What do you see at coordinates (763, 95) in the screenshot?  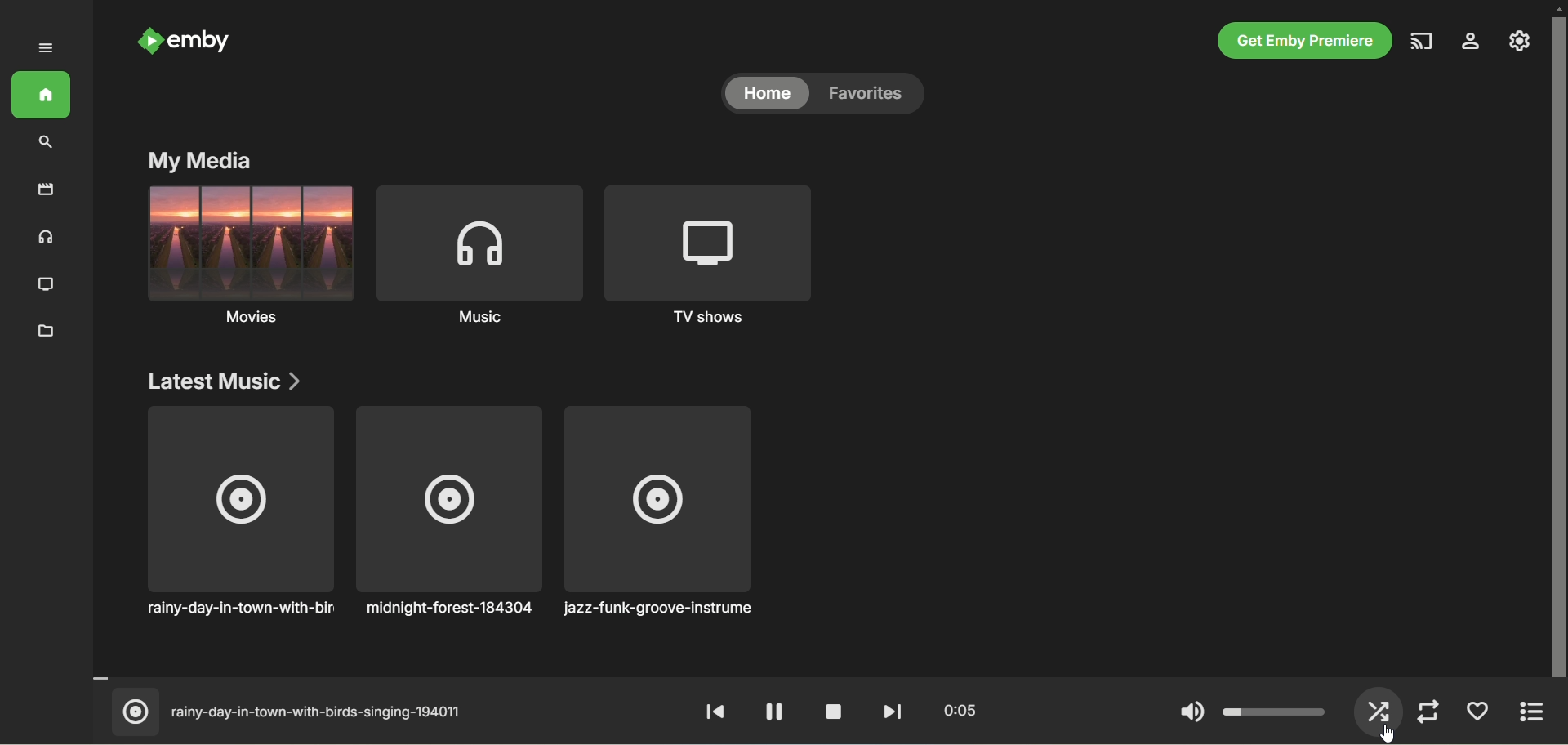 I see `home` at bounding box center [763, 95].